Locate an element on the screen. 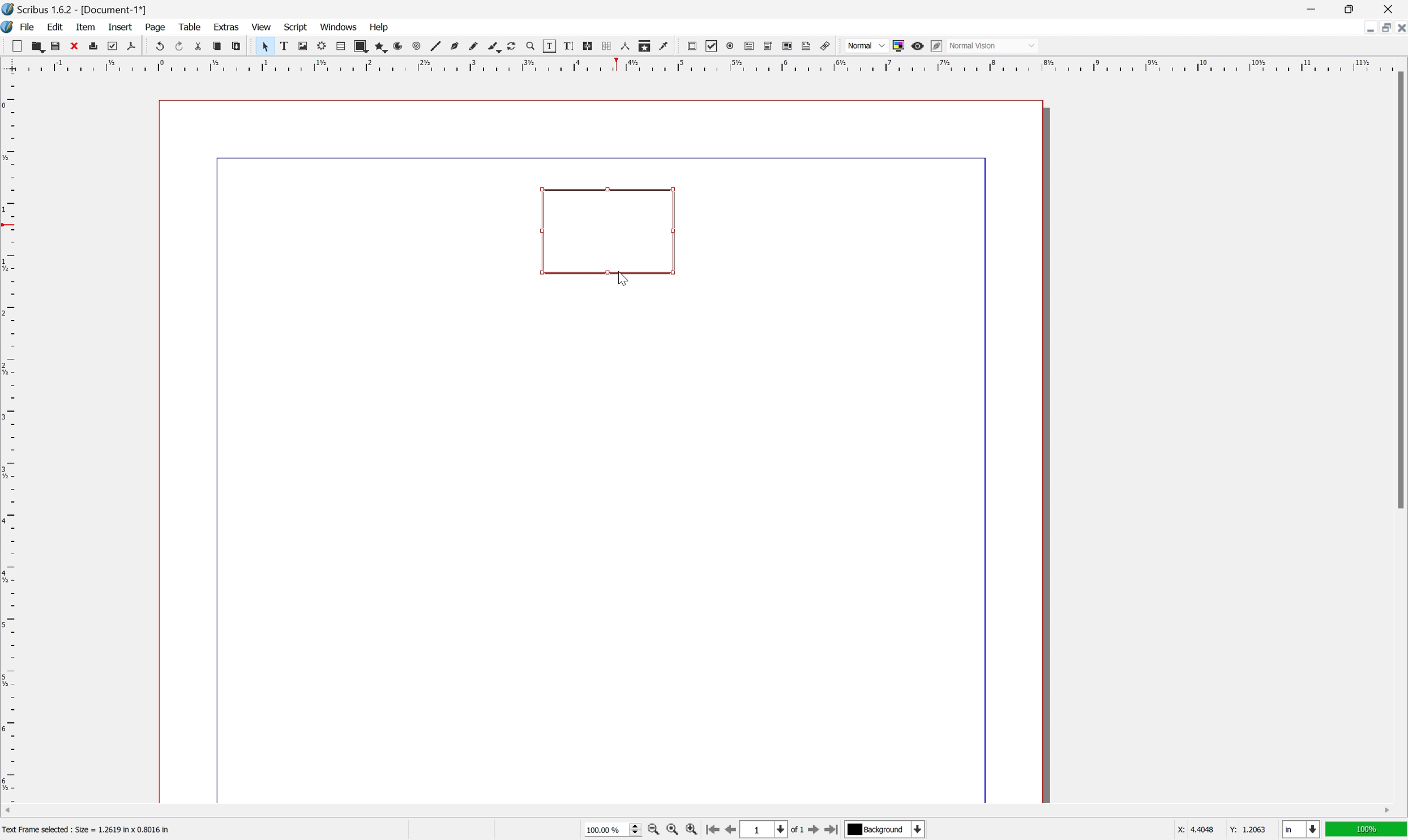 The image size is (1408, 840). 100.00% is located at coordinates (613, 831).